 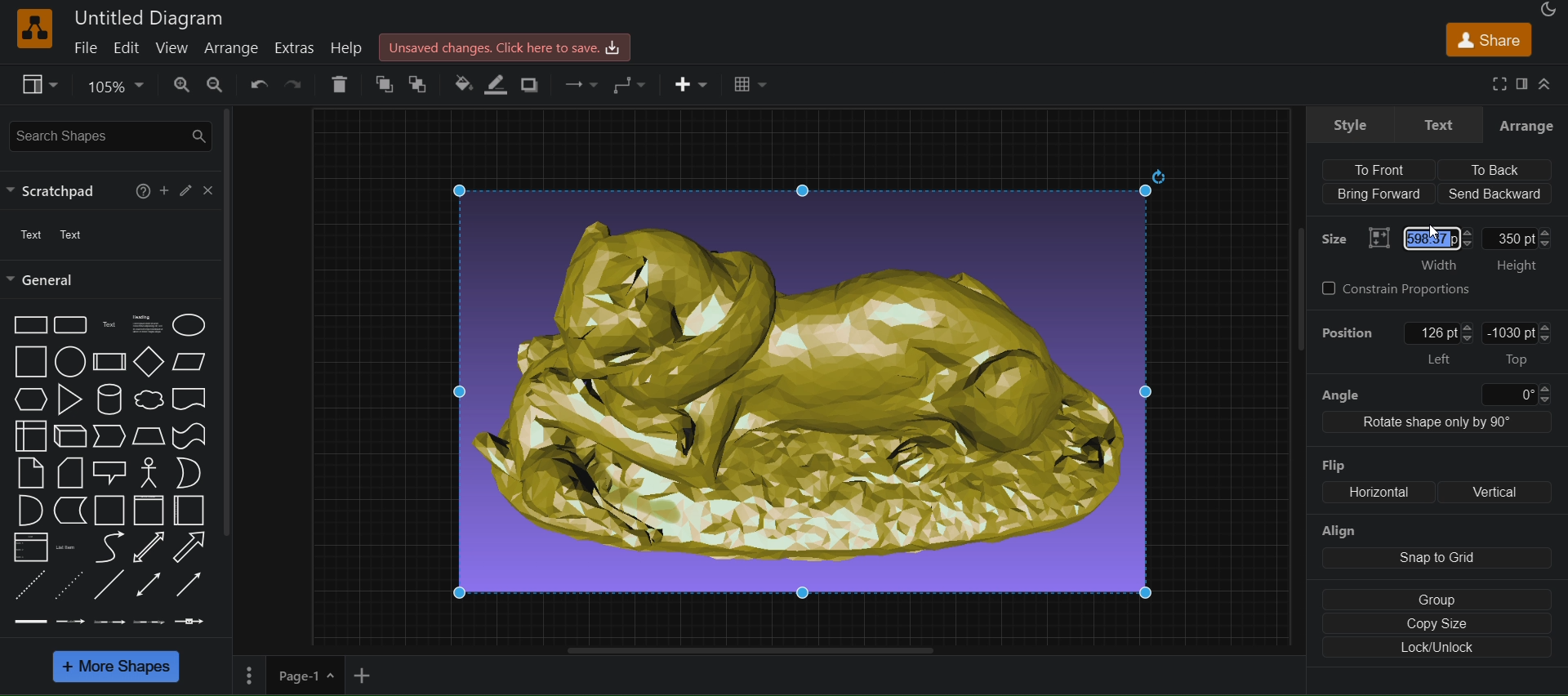 What do you see at coordinates (109, 471) in the screenshot?
I see `shapes` at bounding box center [109, 471].